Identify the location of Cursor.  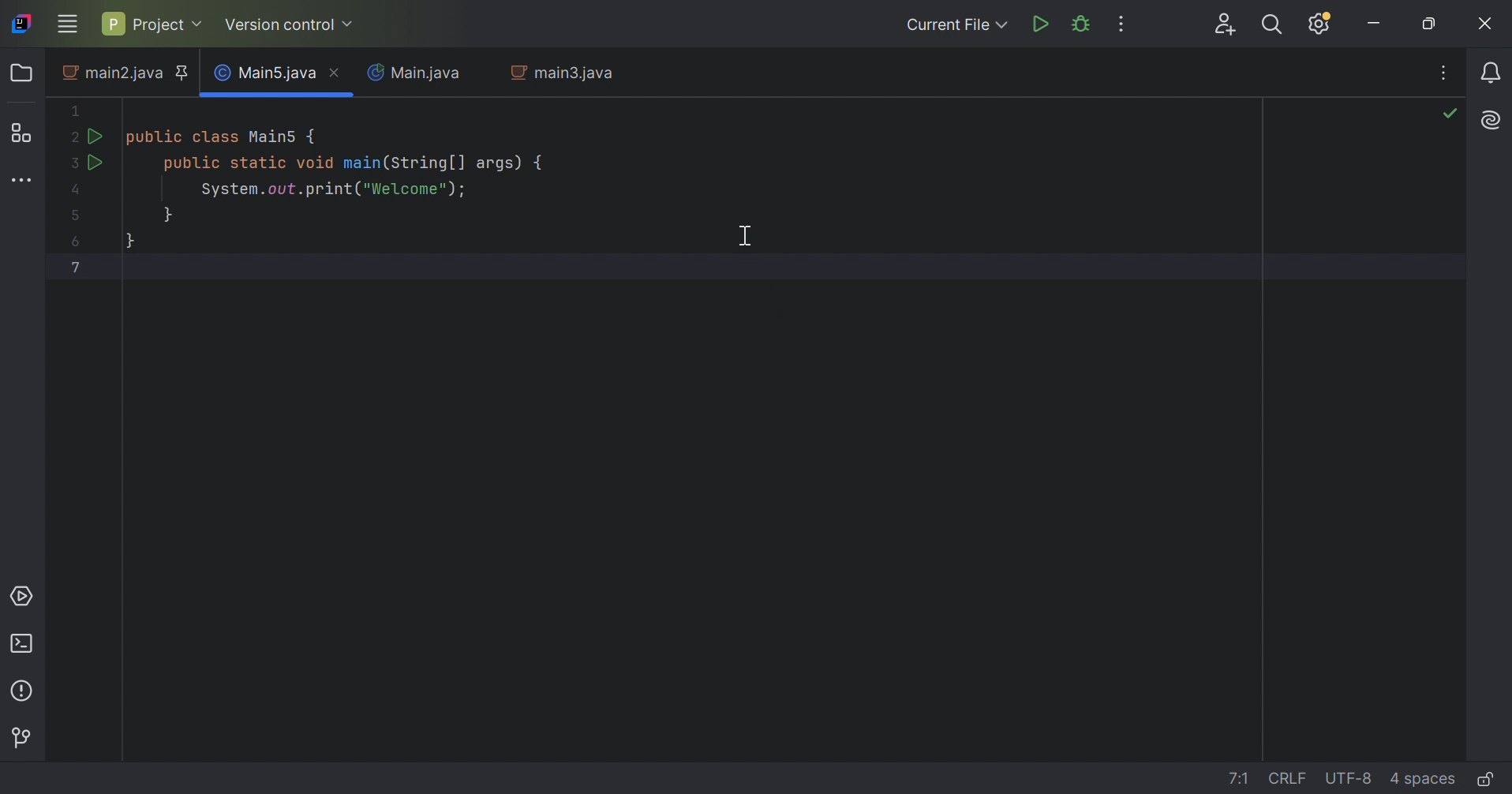
(743, 234).